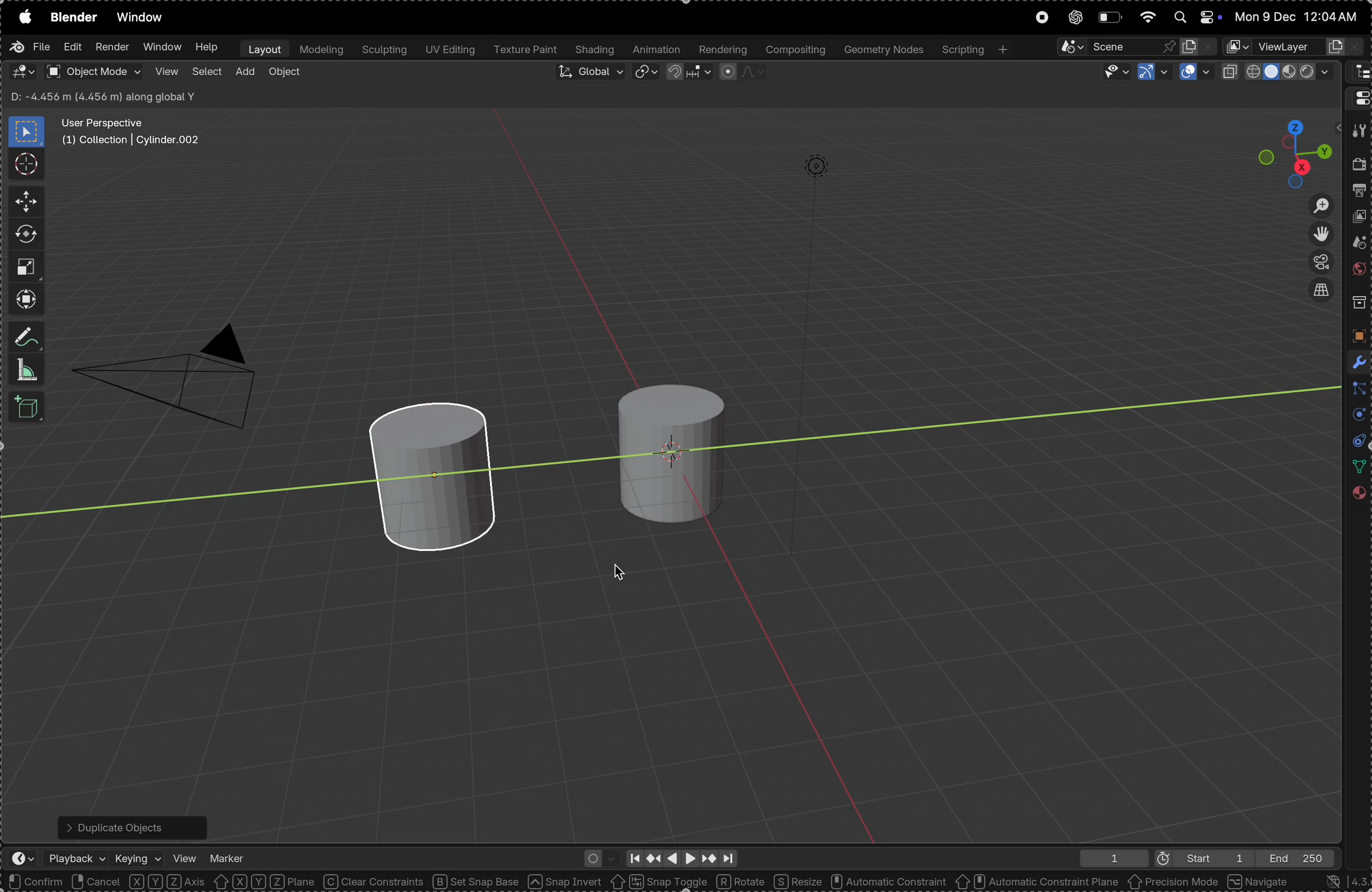  I want to click on help, so click(207, 47).